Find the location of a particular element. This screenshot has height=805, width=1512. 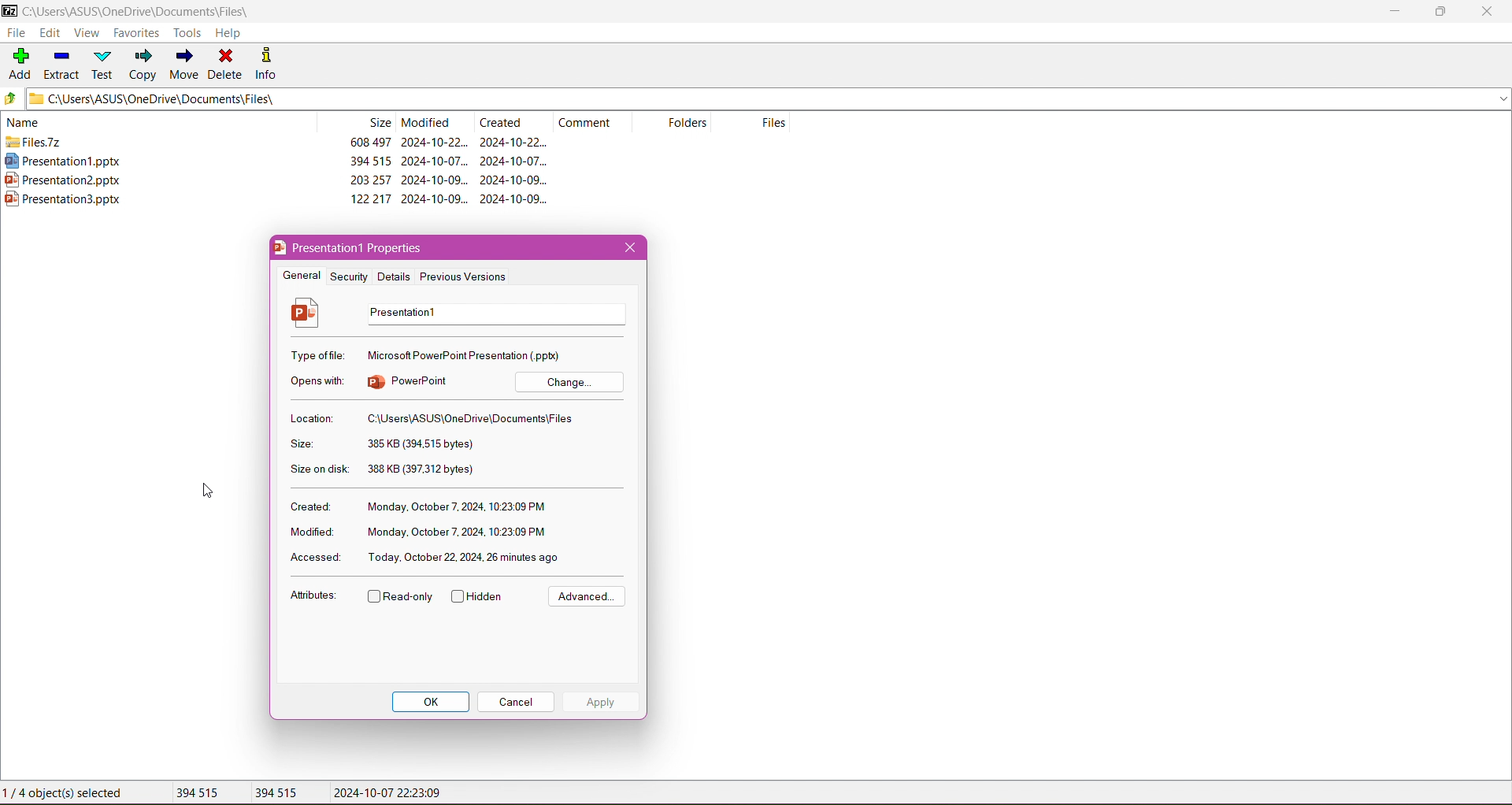

Close is located at coordinates (1486, 14).